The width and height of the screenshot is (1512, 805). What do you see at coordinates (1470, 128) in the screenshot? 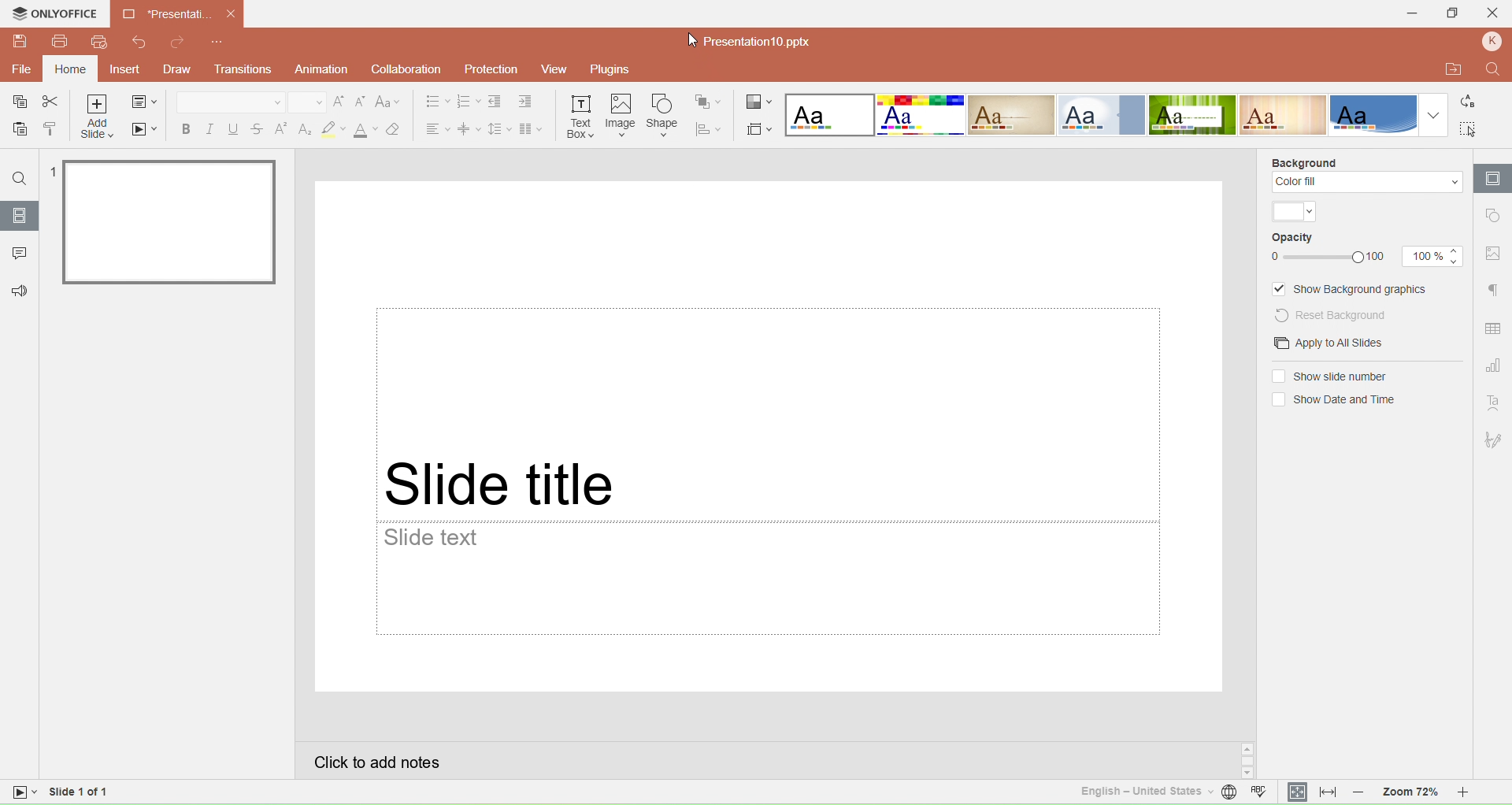
I see `Select all` at bounding box center [1470, 128].